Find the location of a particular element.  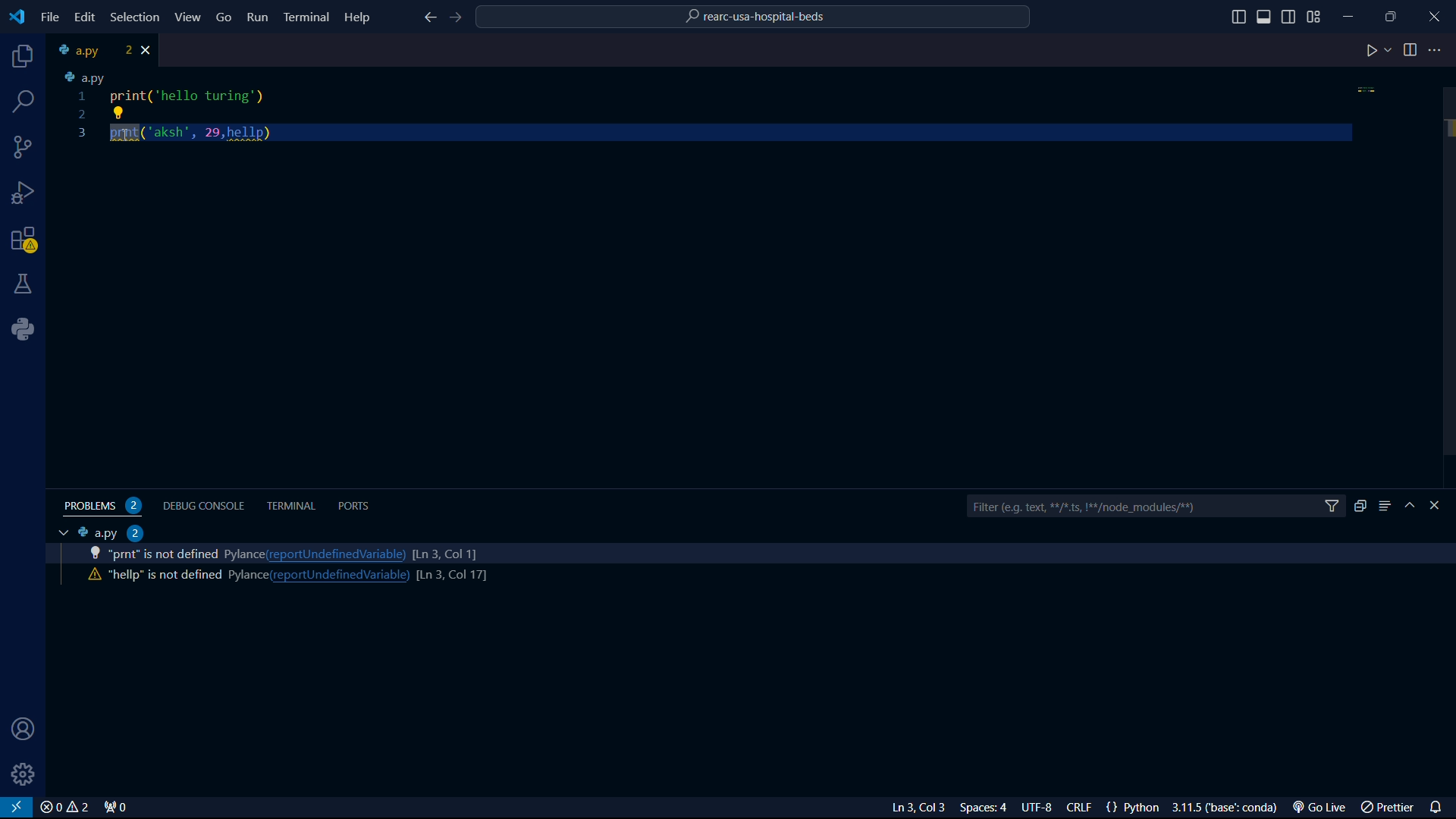

grid view is located at coordinates (1314, 17).